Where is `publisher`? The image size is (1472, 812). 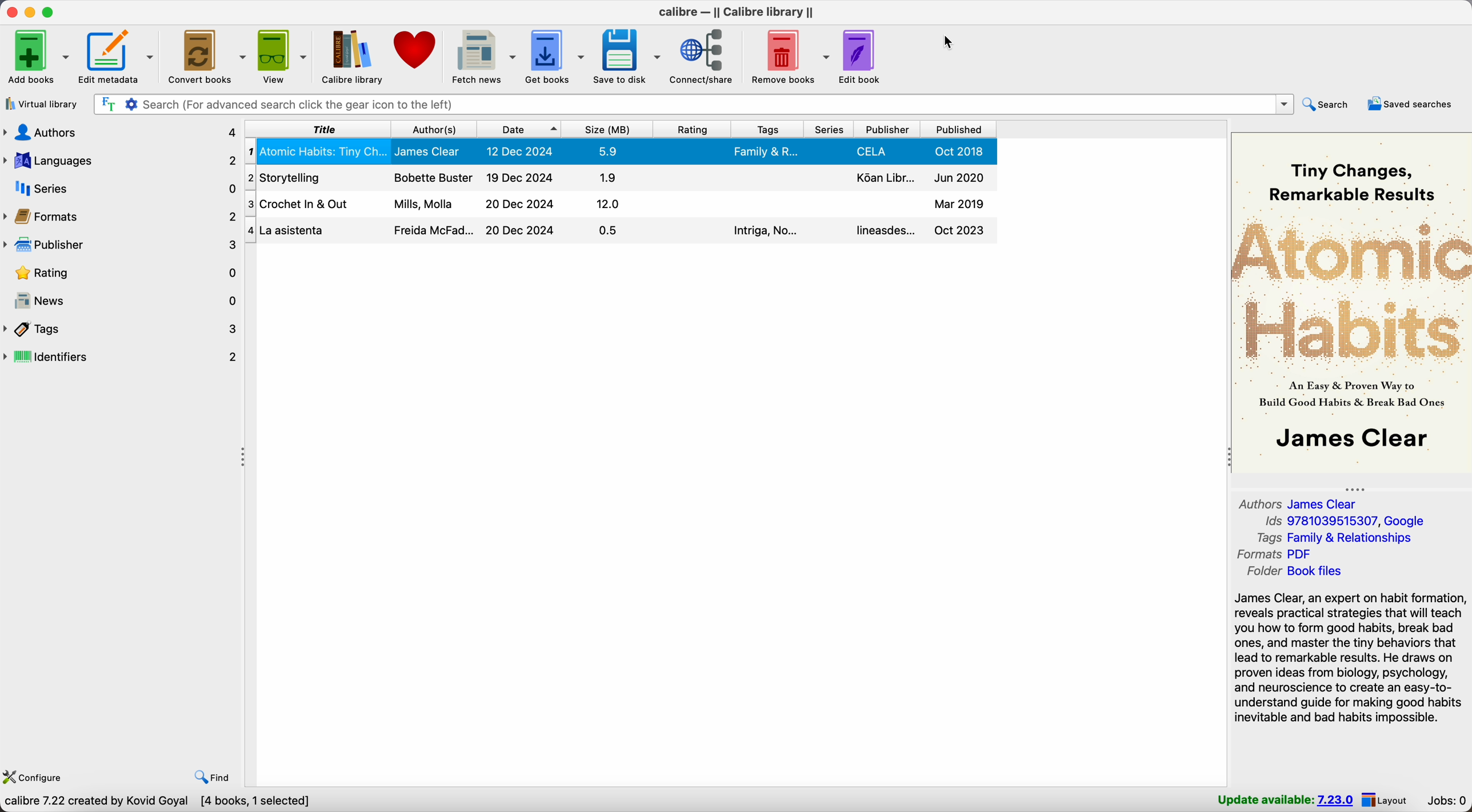 publisher is located at coordinates (121, 245).